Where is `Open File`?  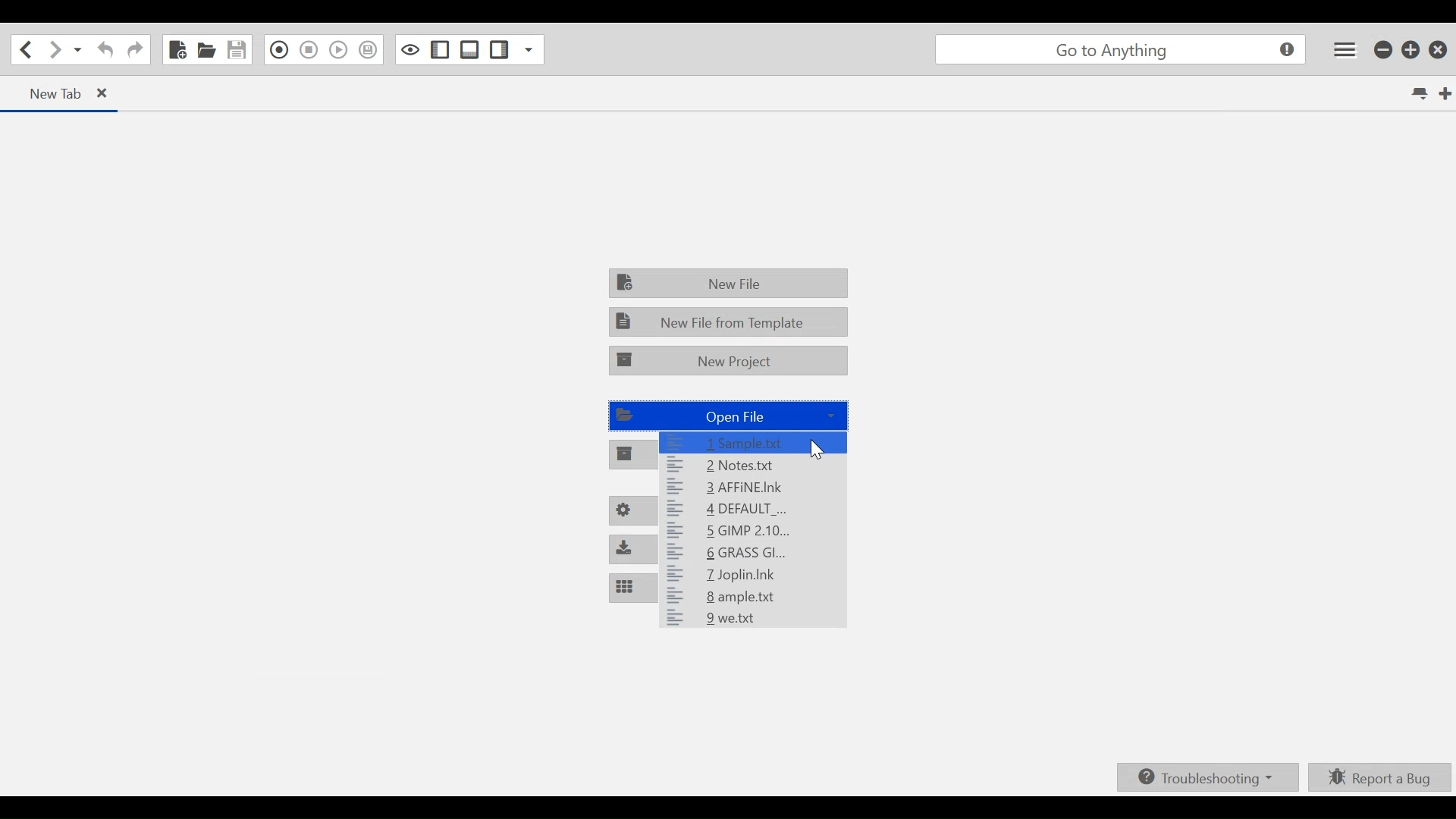
Open File is located at coordinates (206, 49).